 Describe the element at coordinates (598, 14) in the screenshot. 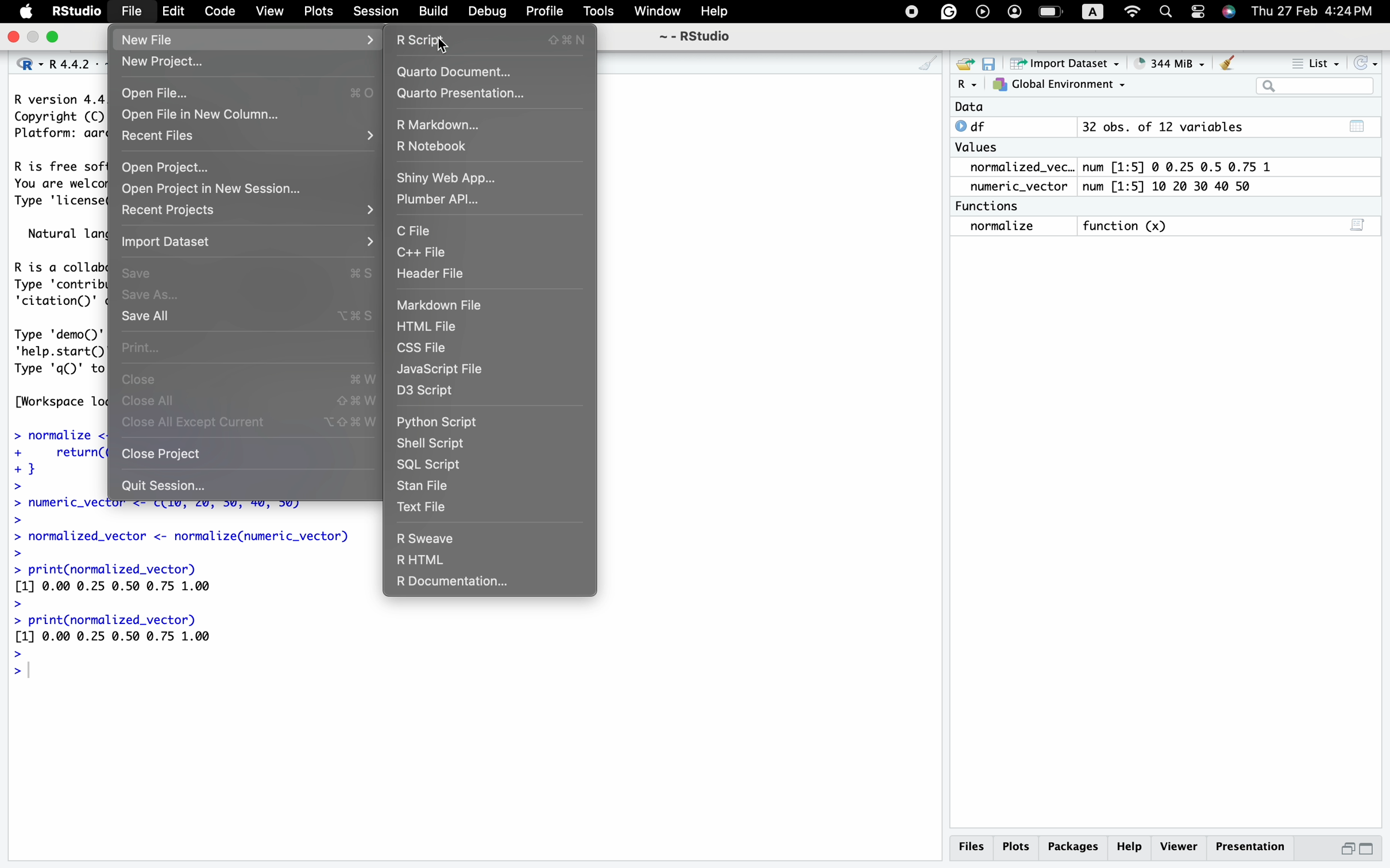

I see `Tools` at that location.